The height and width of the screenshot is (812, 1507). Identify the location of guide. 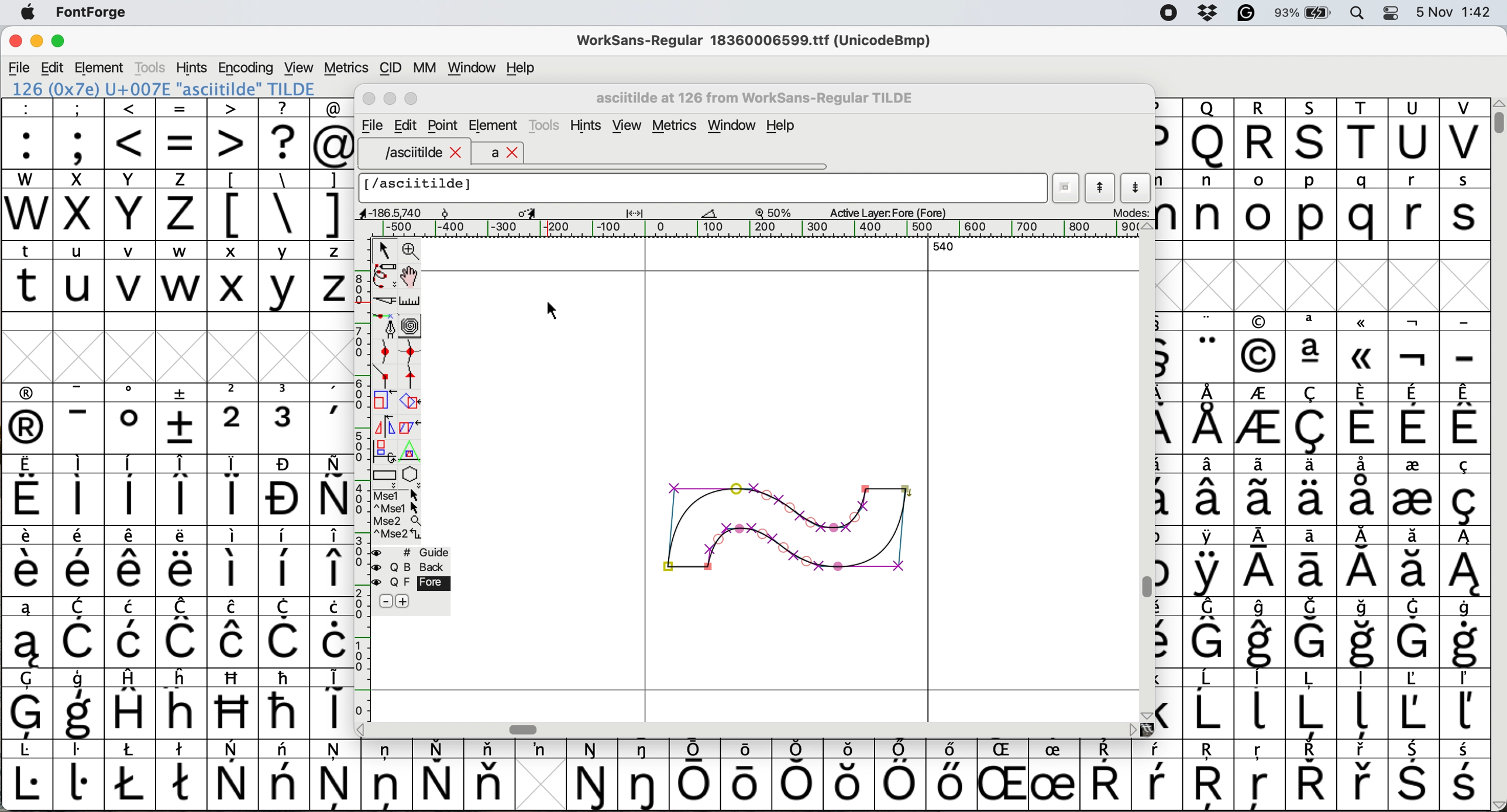
(418, 550).